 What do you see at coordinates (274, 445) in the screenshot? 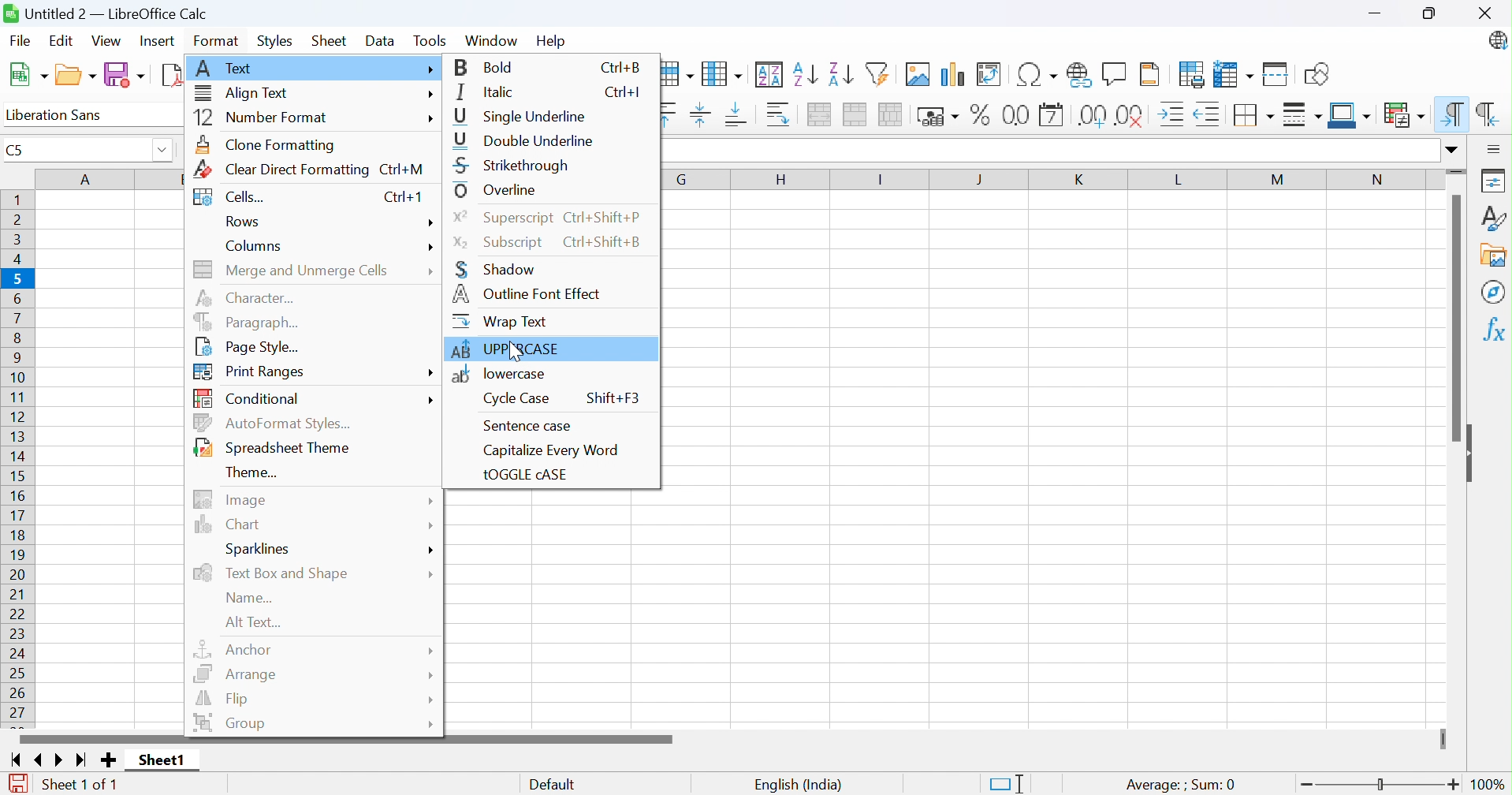
I see `Spreadsheet theme` at bounding box center [274, 445].